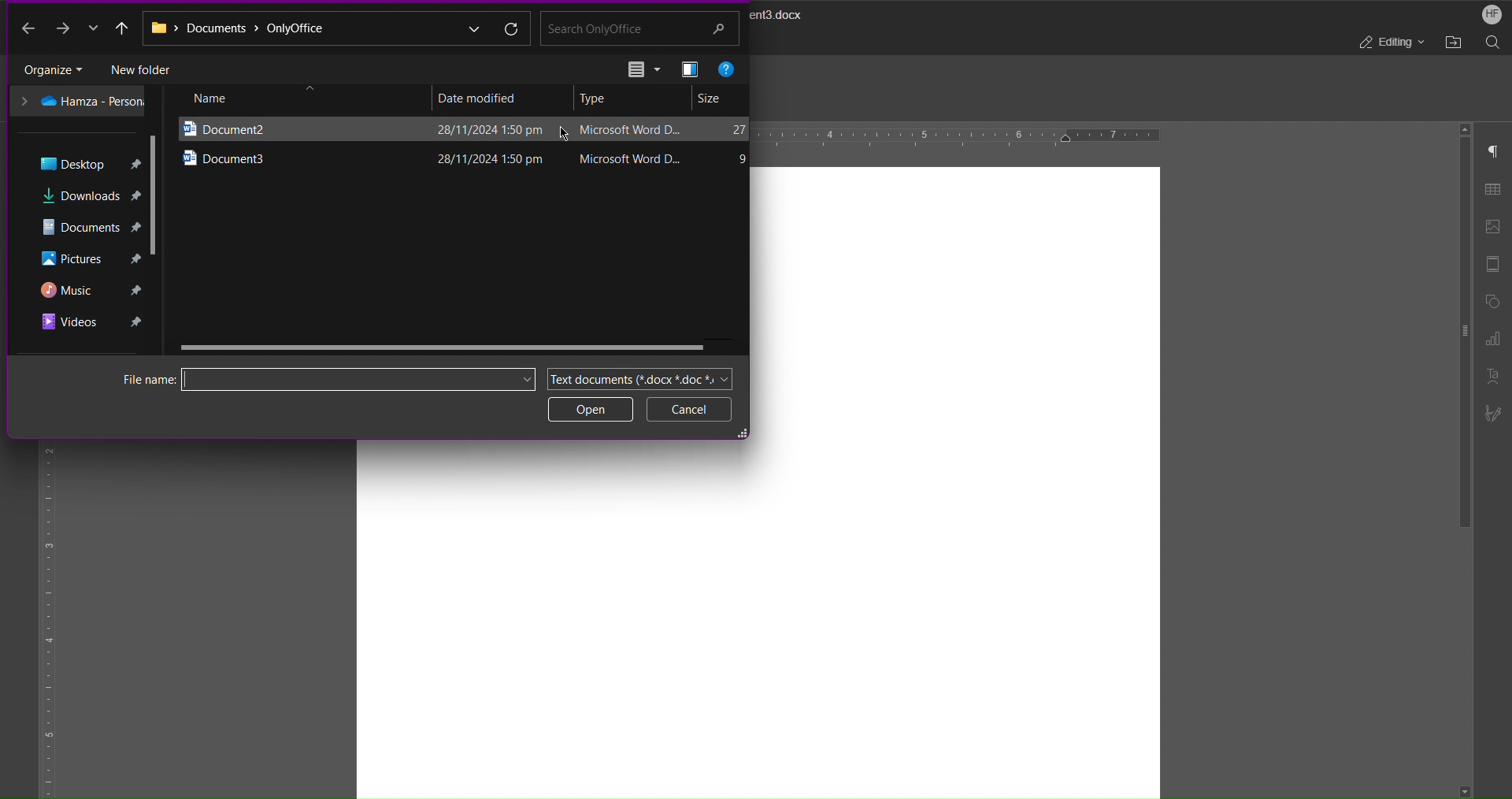 The height and width of the screenshot is (799, 1512). Describe the element at coordinates (1465, 786) in the screenshot. I see `Scroll down` at that location.